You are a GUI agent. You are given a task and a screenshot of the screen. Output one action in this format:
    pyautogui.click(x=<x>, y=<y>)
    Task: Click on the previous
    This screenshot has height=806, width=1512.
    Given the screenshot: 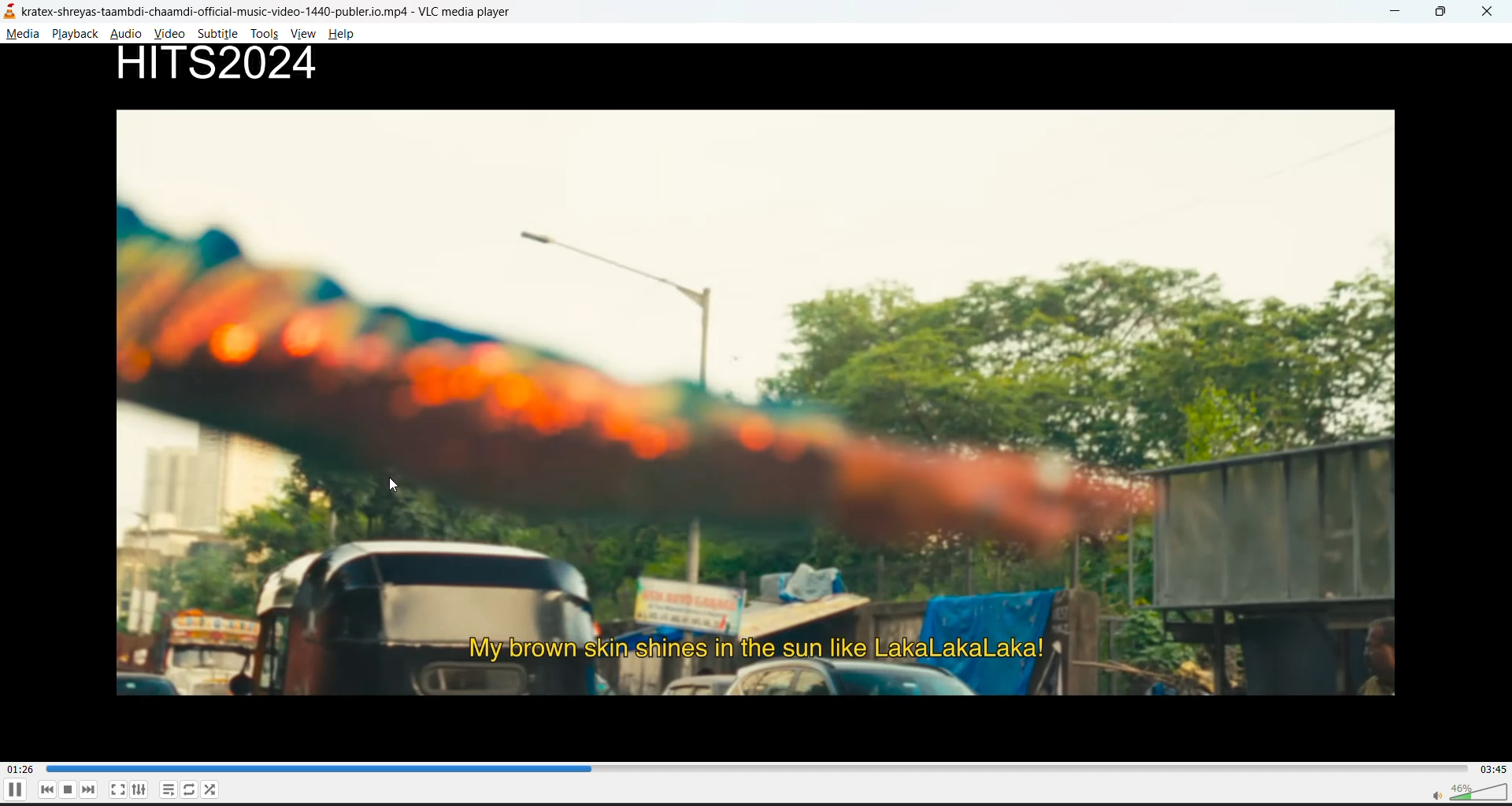 What is the action you would take?
    pyautogui.click(x=50, y=789)
    